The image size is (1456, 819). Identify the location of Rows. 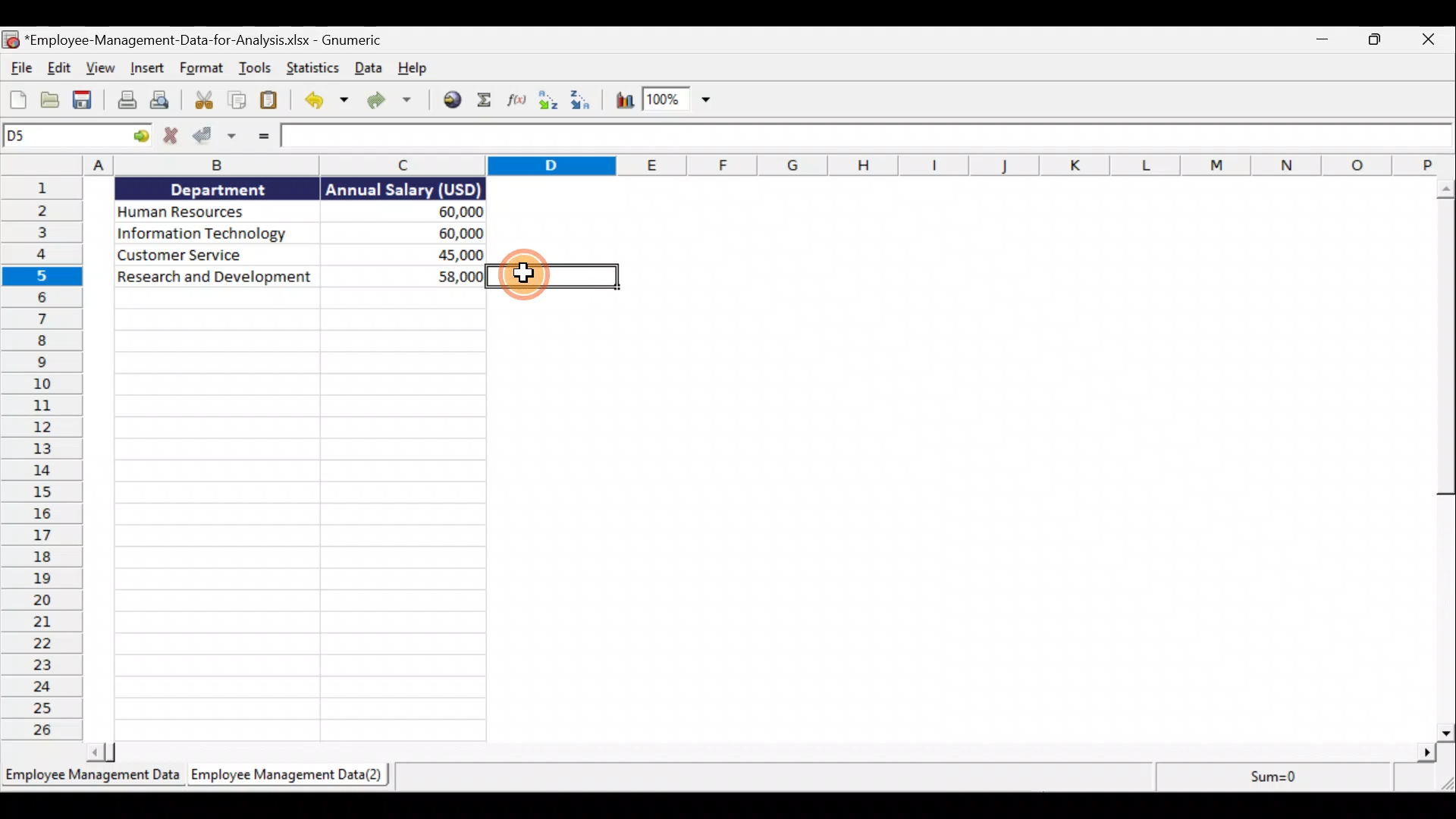
(41, 460).